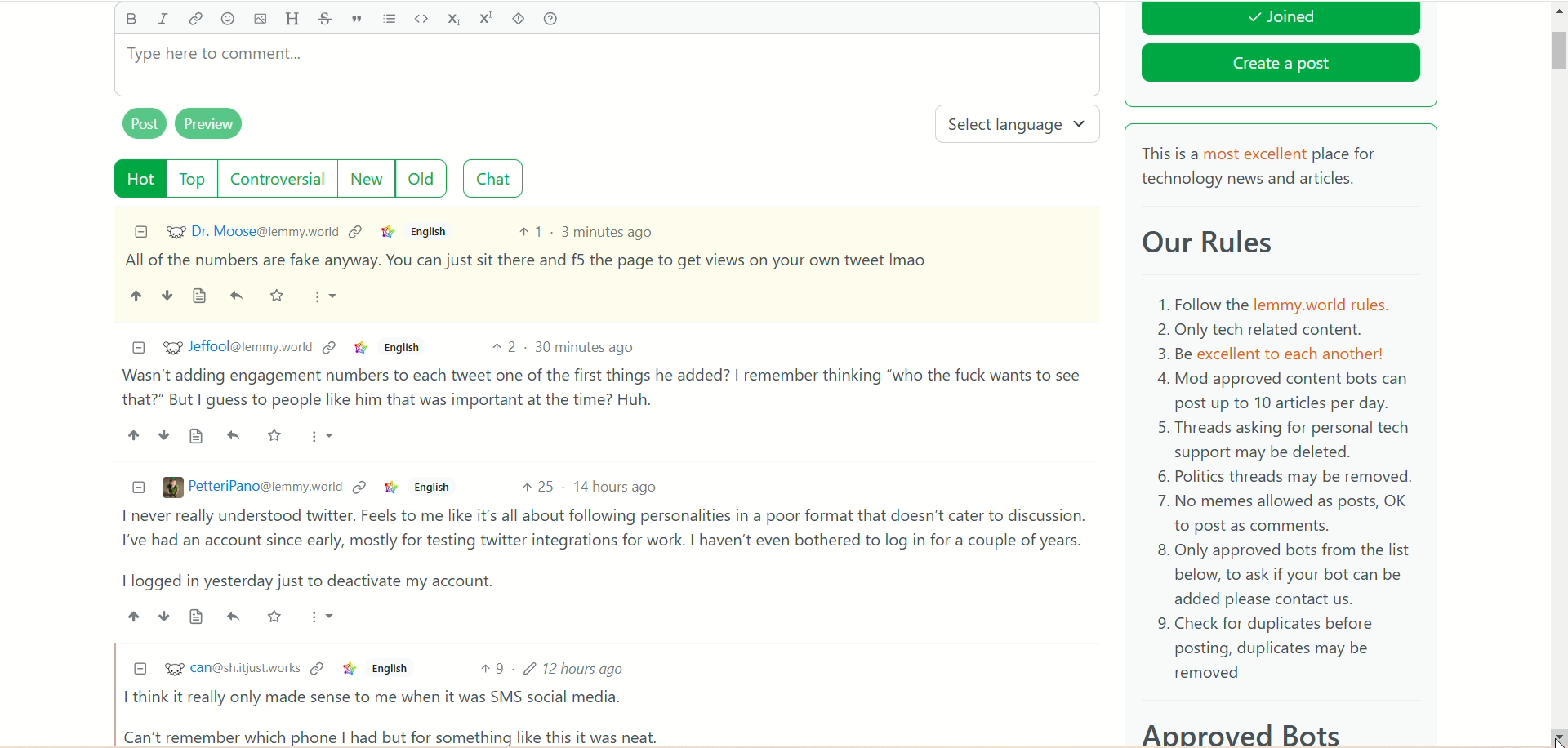 The width and height of the screenshot is (1568, 748). What do you see at coordinates (356, 19) in the screenshot?
I see `quote` at bounding box center [356, 19].